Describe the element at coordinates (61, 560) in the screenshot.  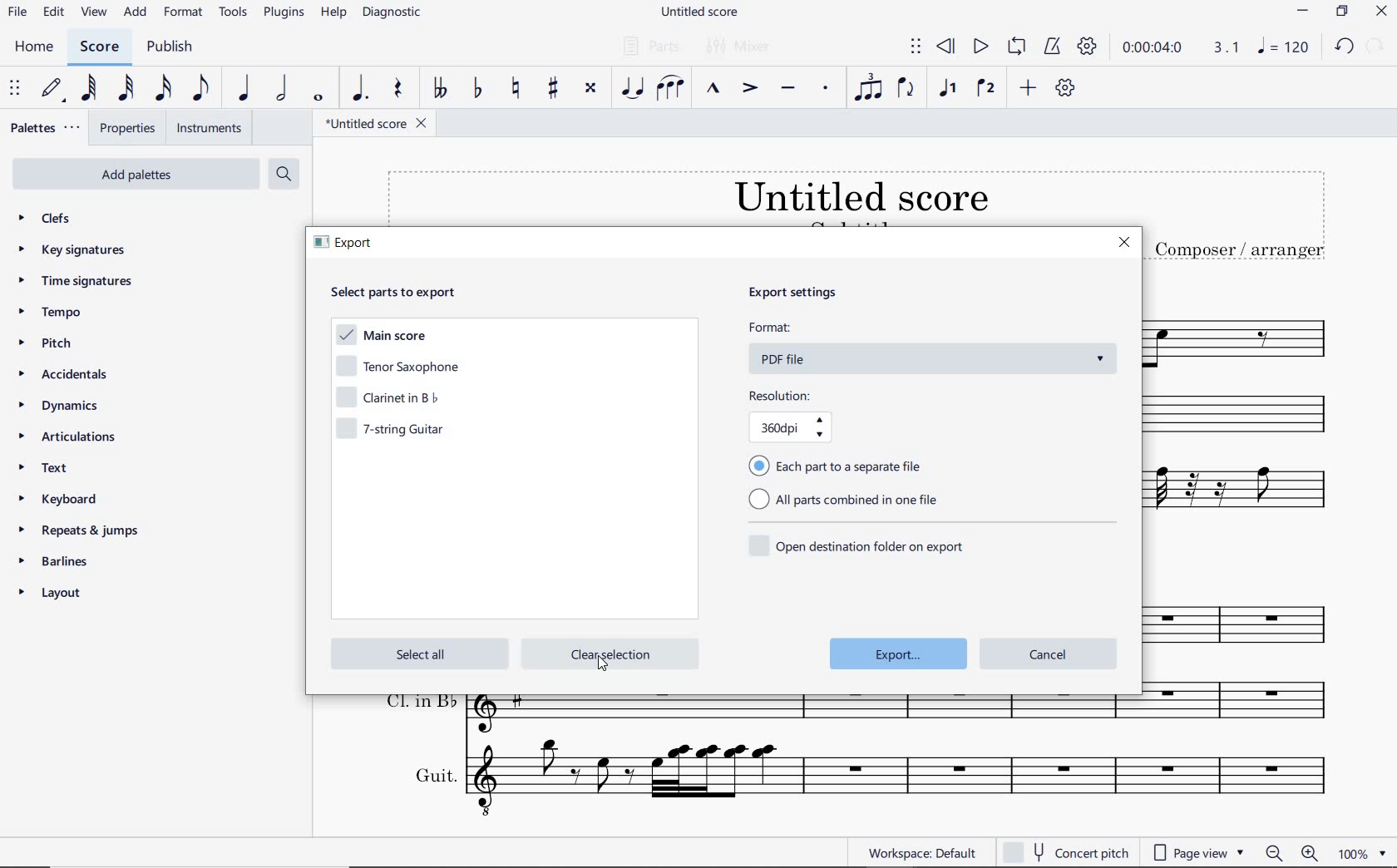
I see `barlines` at that location.